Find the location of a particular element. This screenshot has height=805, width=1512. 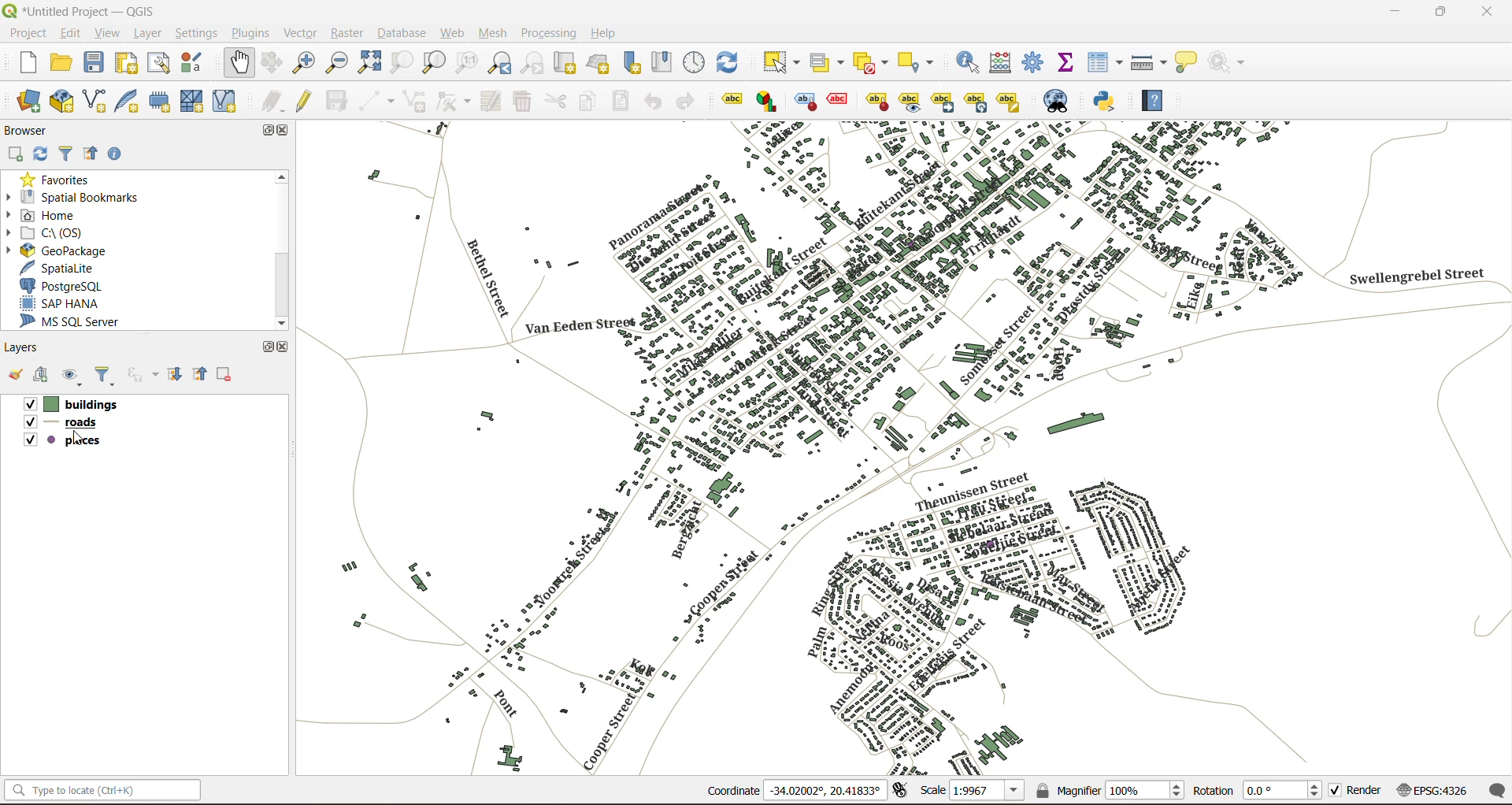

sap hana is located at coordinates (61, 304).